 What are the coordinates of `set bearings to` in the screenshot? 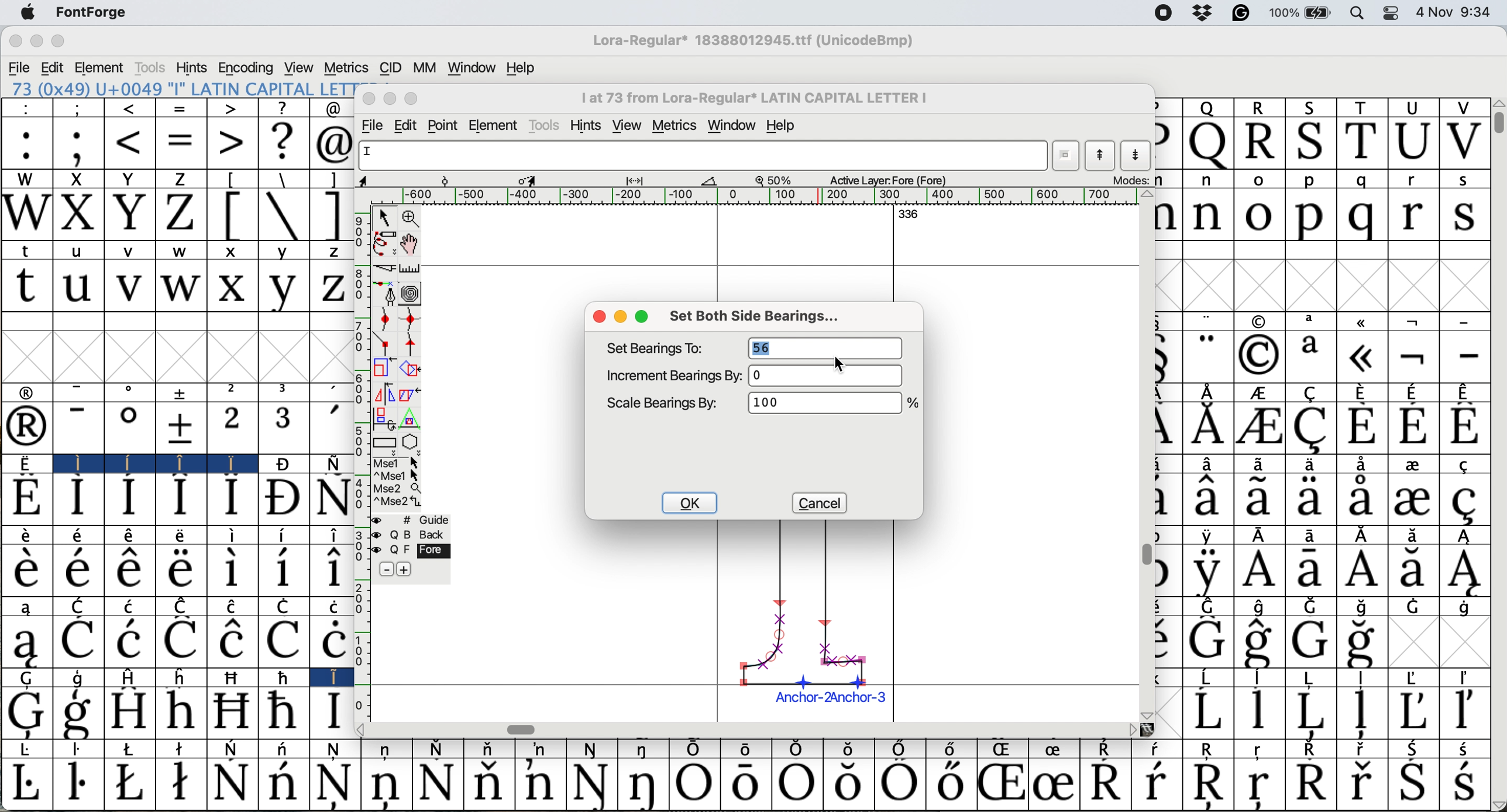 It's located at (660, 348).